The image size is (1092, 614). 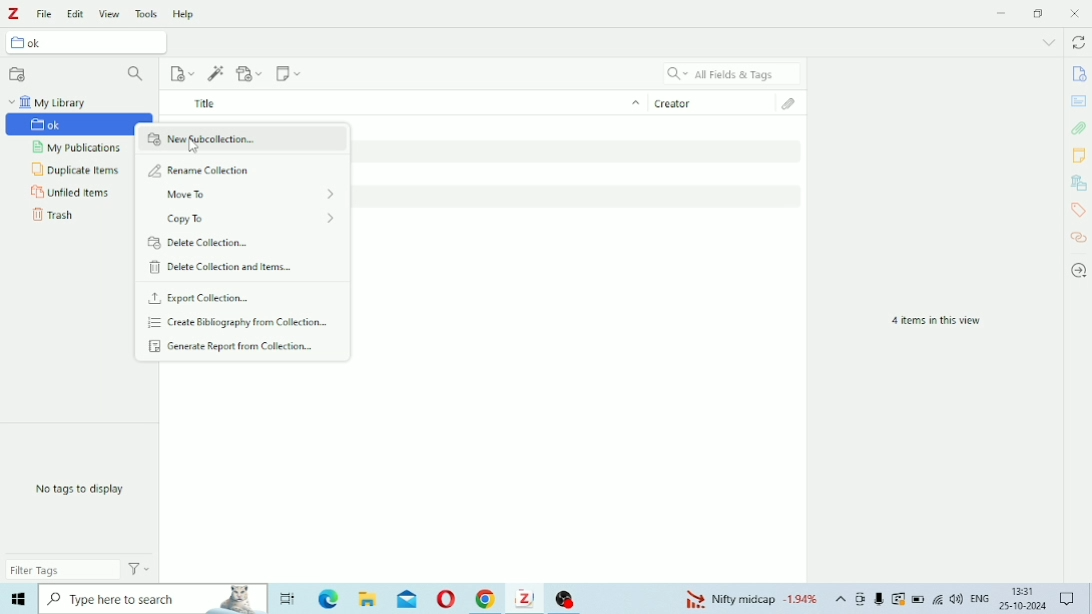 I want to click on ok, so click(x=87, y=41).